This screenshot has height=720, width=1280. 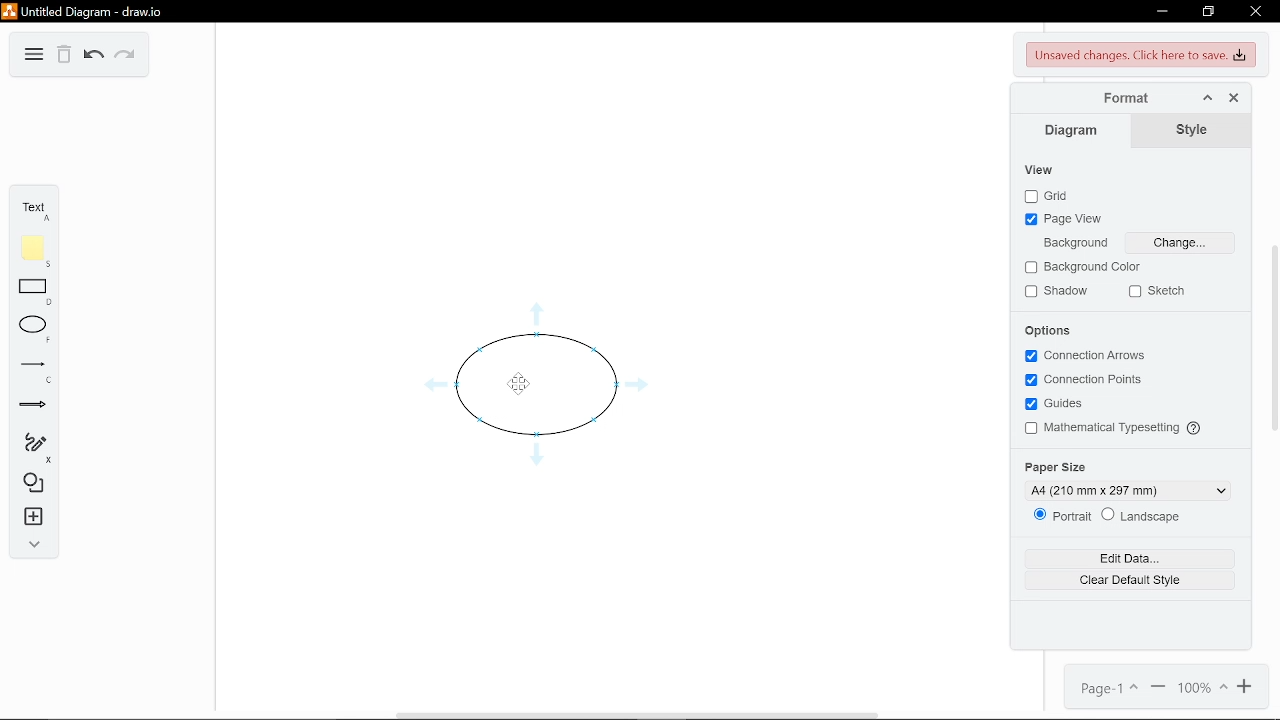 What do you see at coordinates (1075, 133) in the screenshot?
I see `Diagram` at bounding box center [1075, 133].